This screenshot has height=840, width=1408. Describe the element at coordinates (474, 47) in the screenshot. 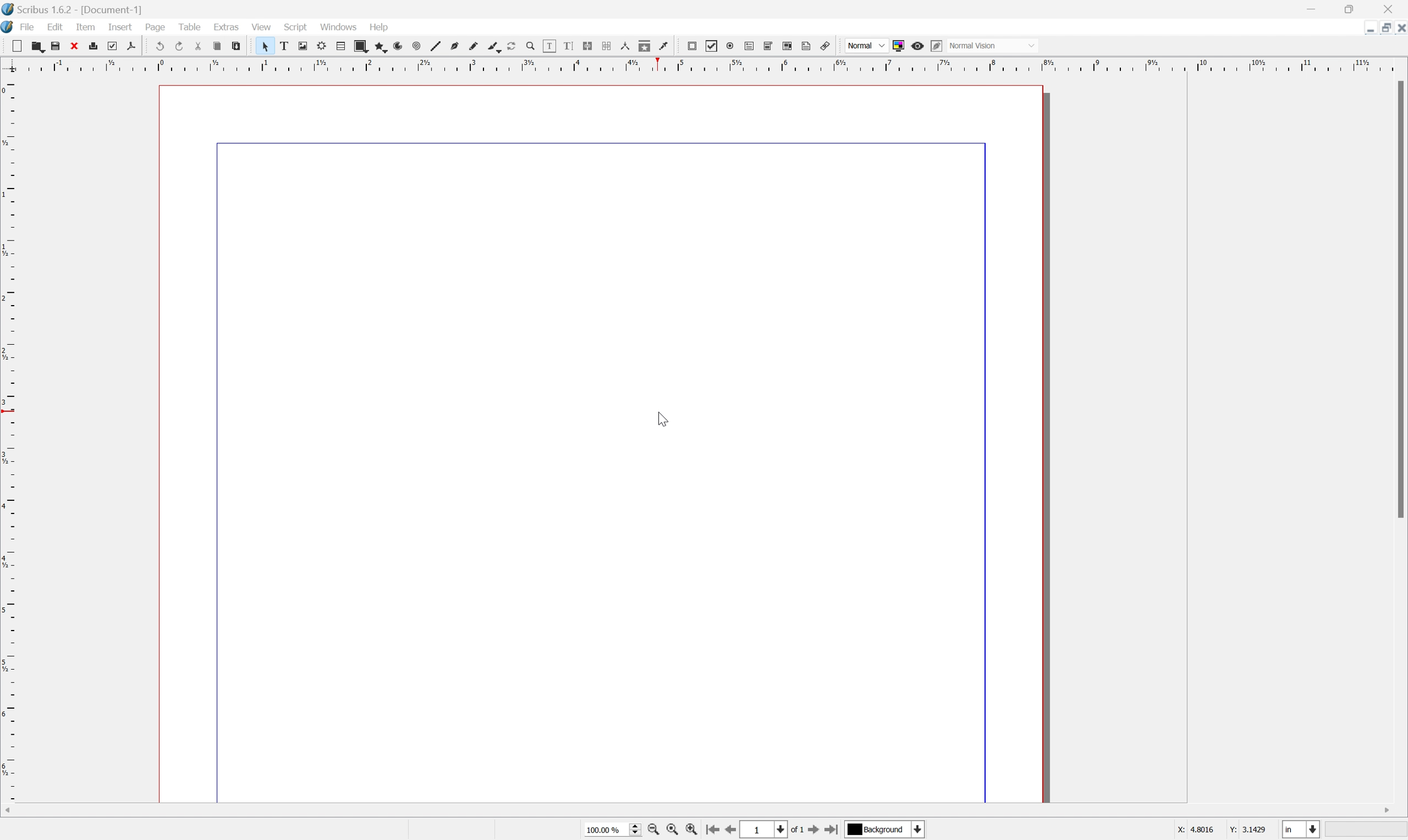

I see `freehand line` at that location.